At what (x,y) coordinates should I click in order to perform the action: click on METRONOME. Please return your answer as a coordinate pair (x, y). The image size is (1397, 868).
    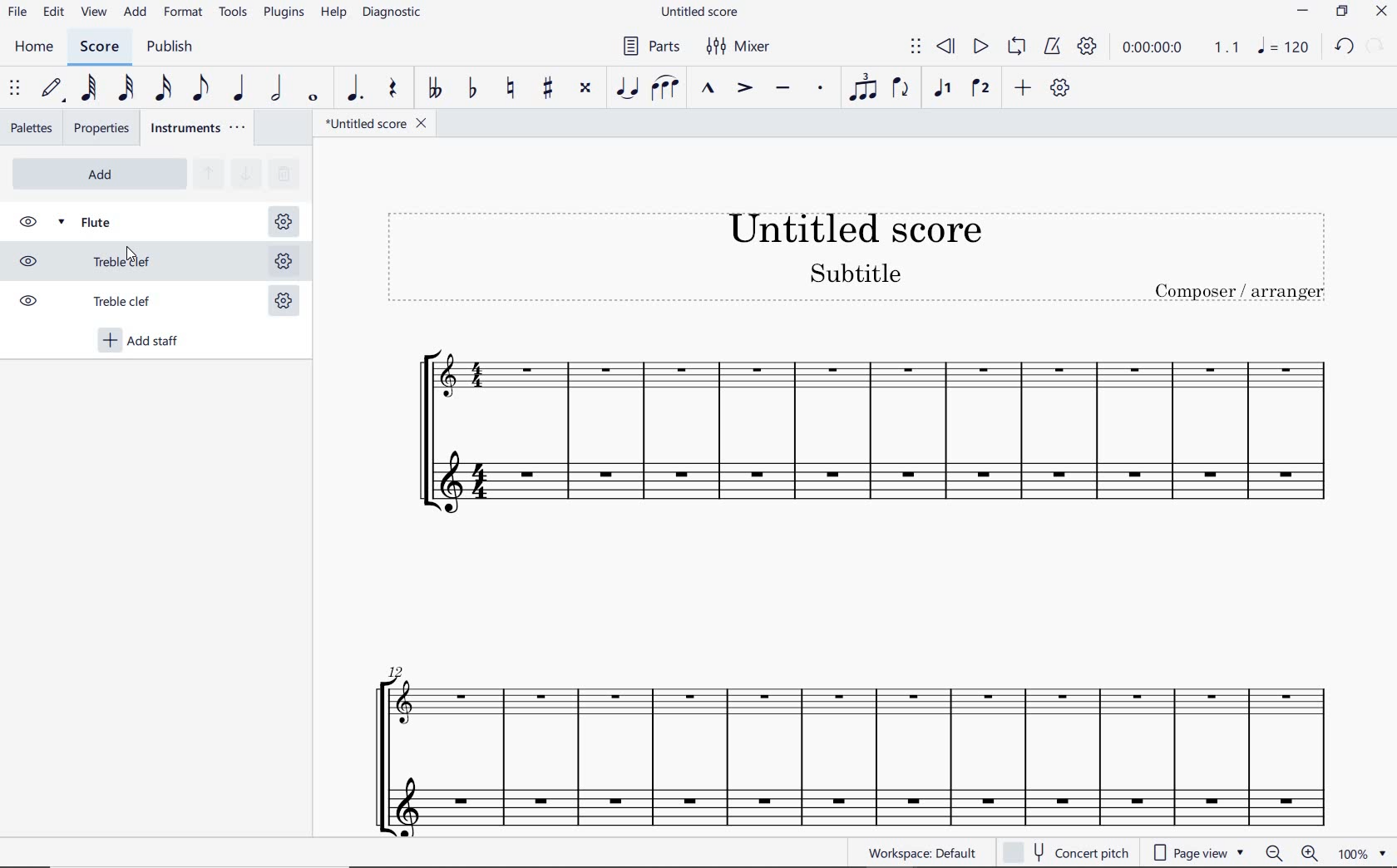
    Looking at the image, I should click on (1054, 47).